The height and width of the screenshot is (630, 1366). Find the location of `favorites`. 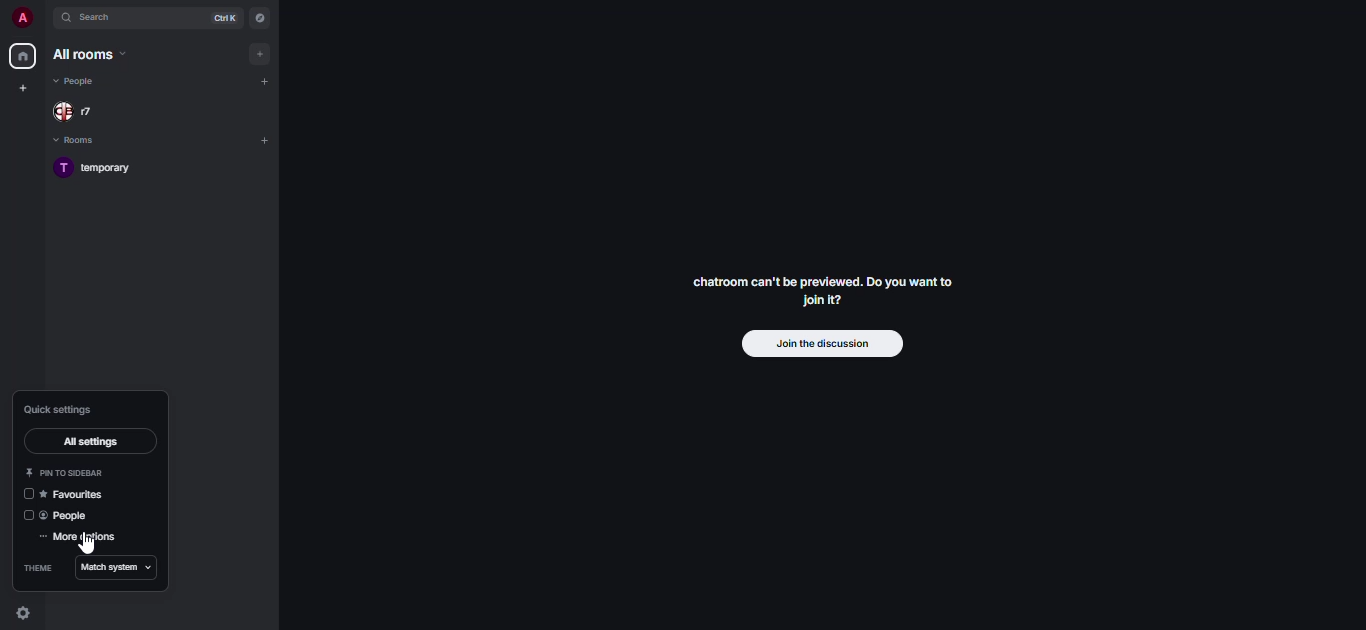

favorites is located at coordinates (75, 495).